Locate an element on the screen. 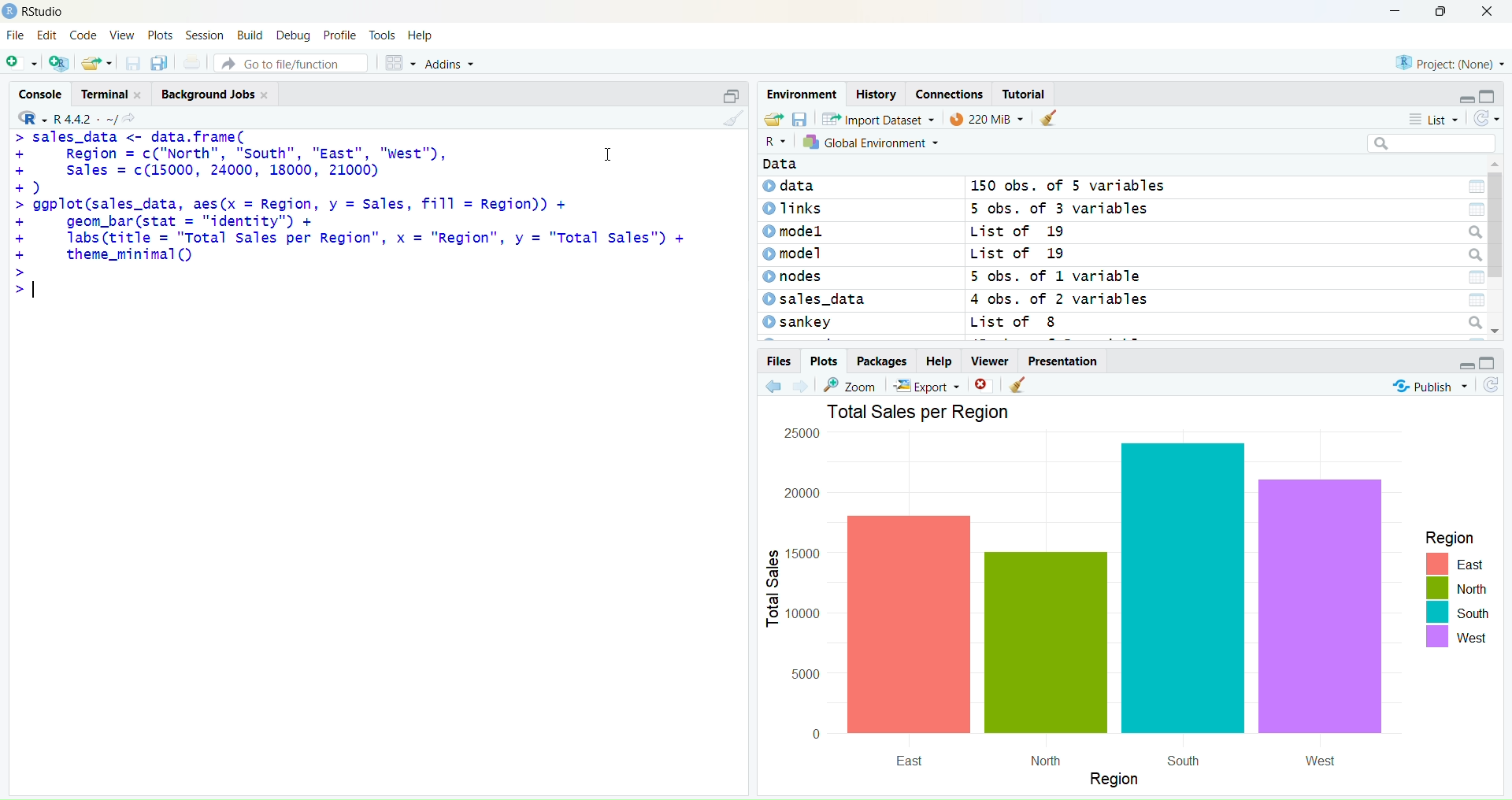 The height and width of the screenshot is (800, 1512). close is located at coordinates (981, 387).